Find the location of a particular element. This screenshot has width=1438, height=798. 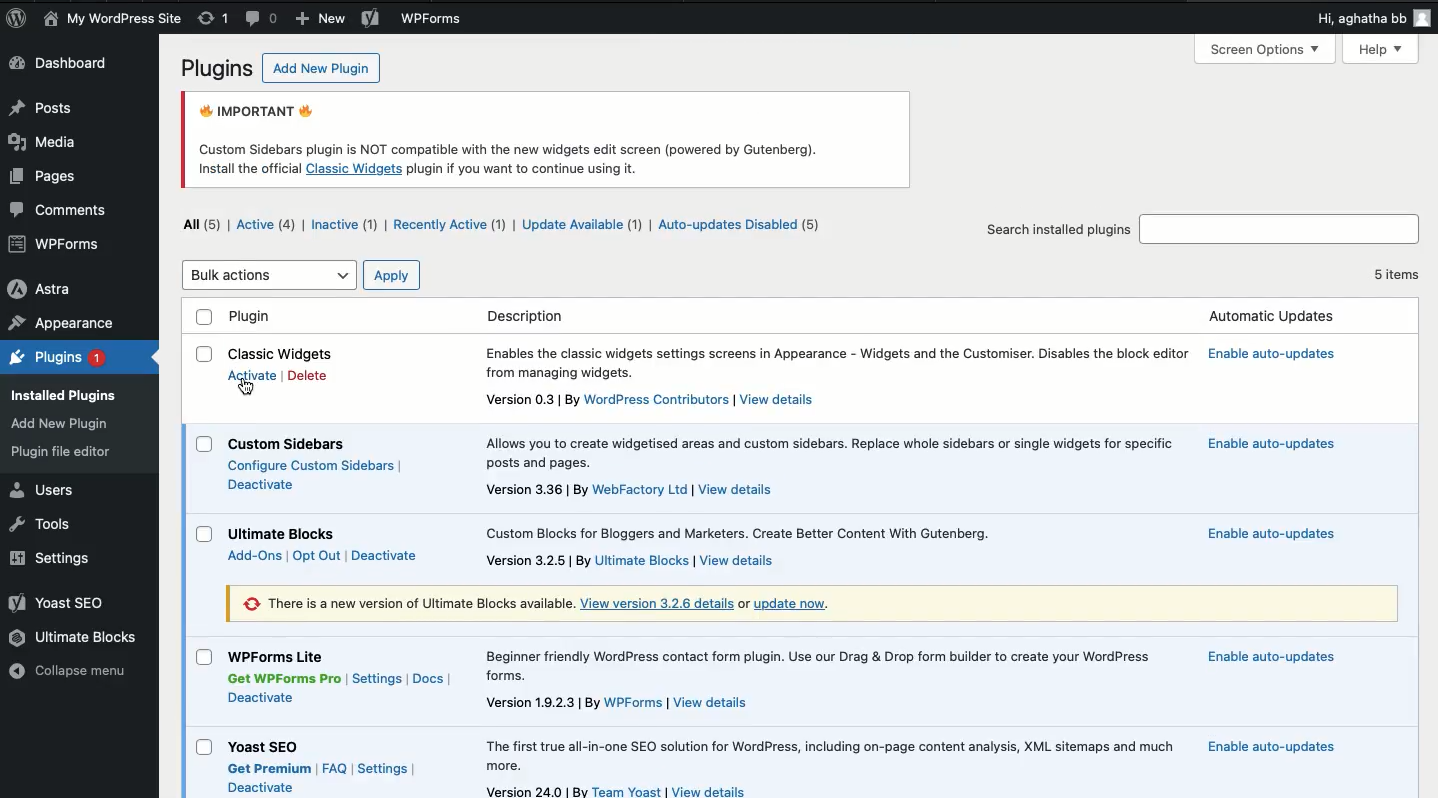

New is located at coordinates (320, 19).